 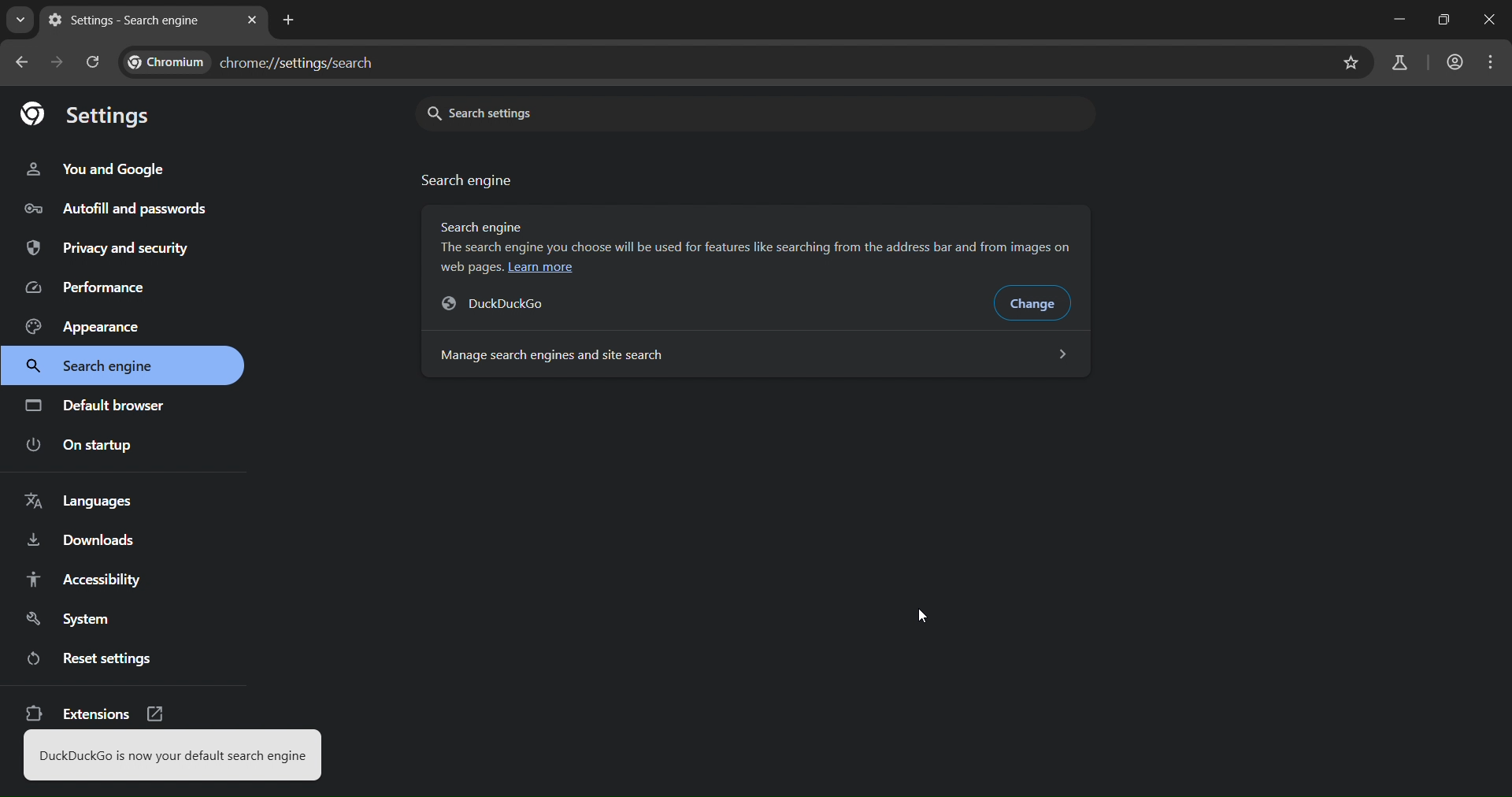 What do you see at coordinates (507, 304) in the screenshot?
I see `duckduckgo` at bounding box center [507, 304].